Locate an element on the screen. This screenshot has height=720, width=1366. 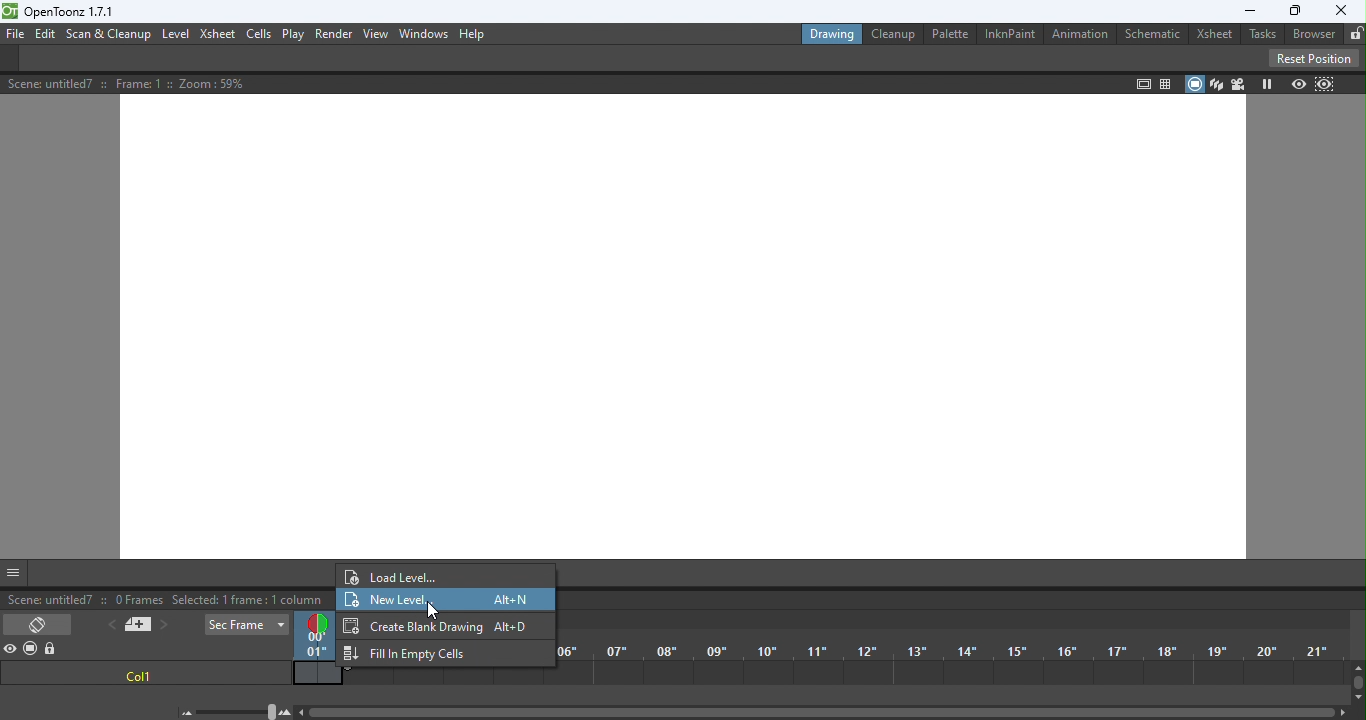
Create Blank Drawing is located at coordinates (437, 629).